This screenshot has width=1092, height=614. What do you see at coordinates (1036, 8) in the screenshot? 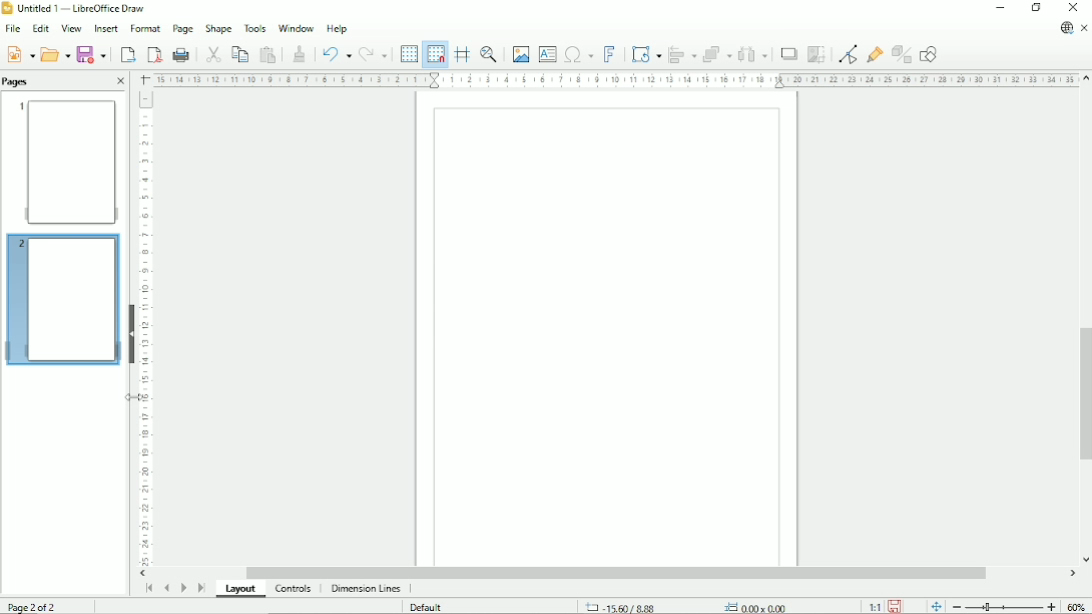
I see `Restore down` at bounding box center [1036, 8].